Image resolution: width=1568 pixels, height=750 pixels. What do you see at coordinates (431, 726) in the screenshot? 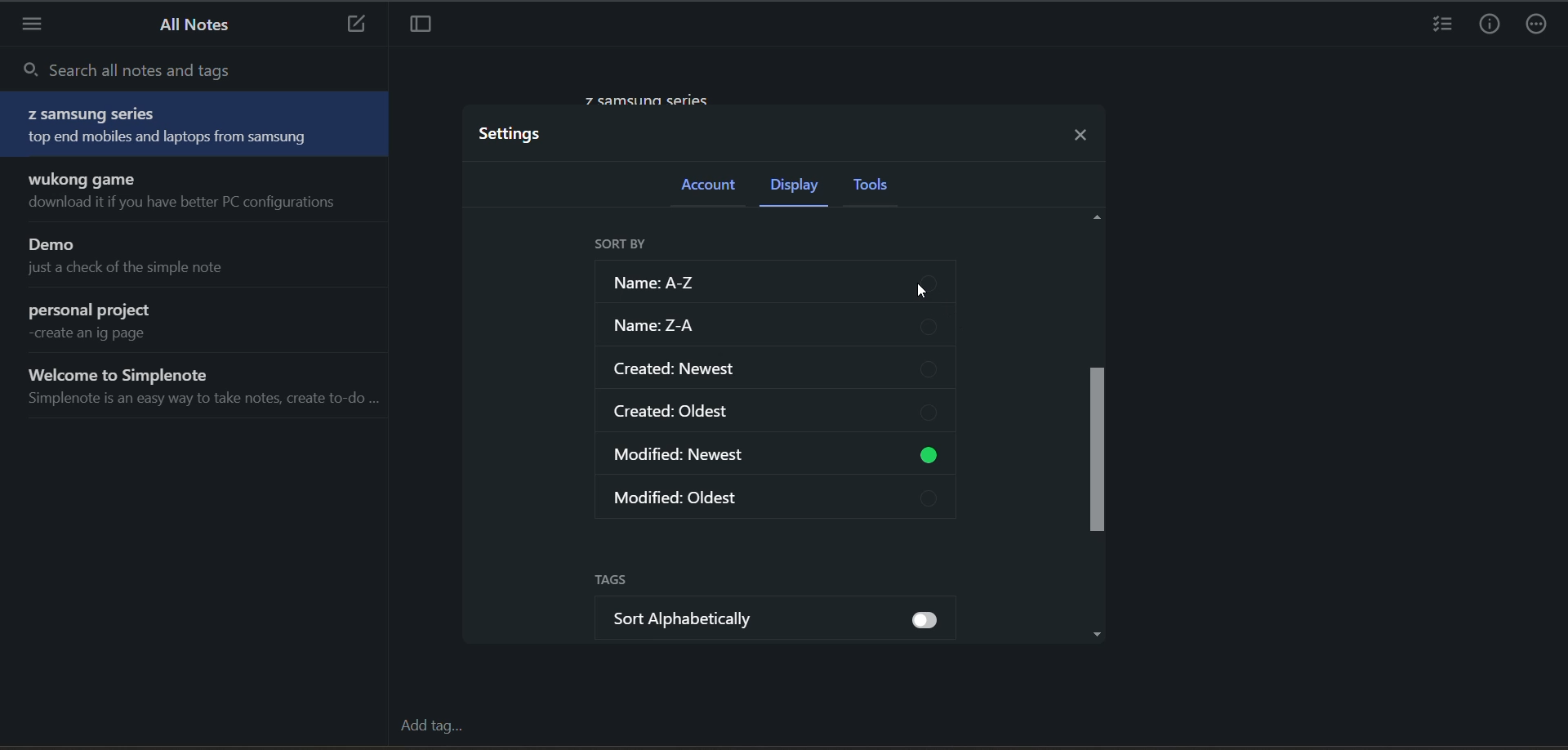
I see `add tag...` at bounding box center [431, 726].